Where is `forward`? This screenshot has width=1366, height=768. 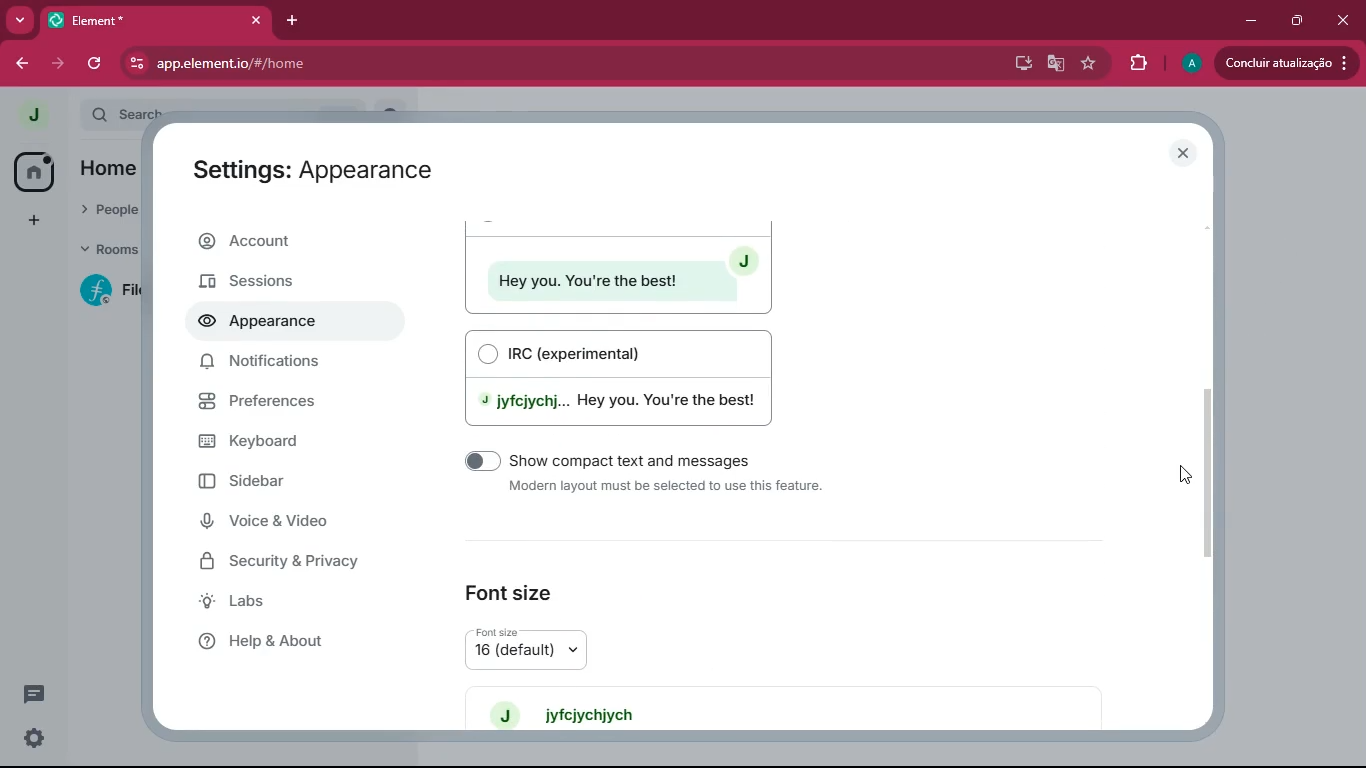
forward is located at coordinates (58, 65).